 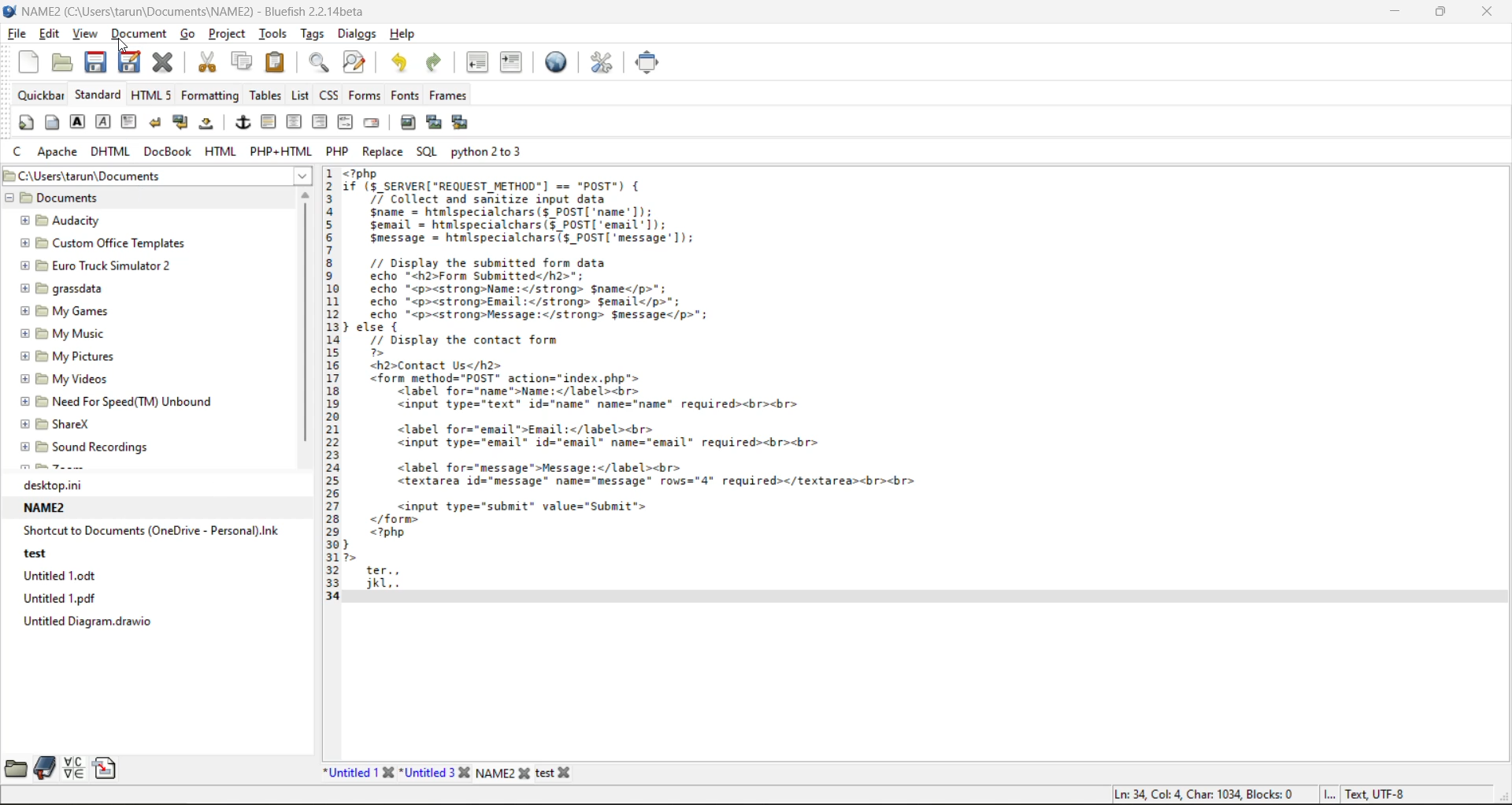 I want to click on sql, so click(x=428, y=152).